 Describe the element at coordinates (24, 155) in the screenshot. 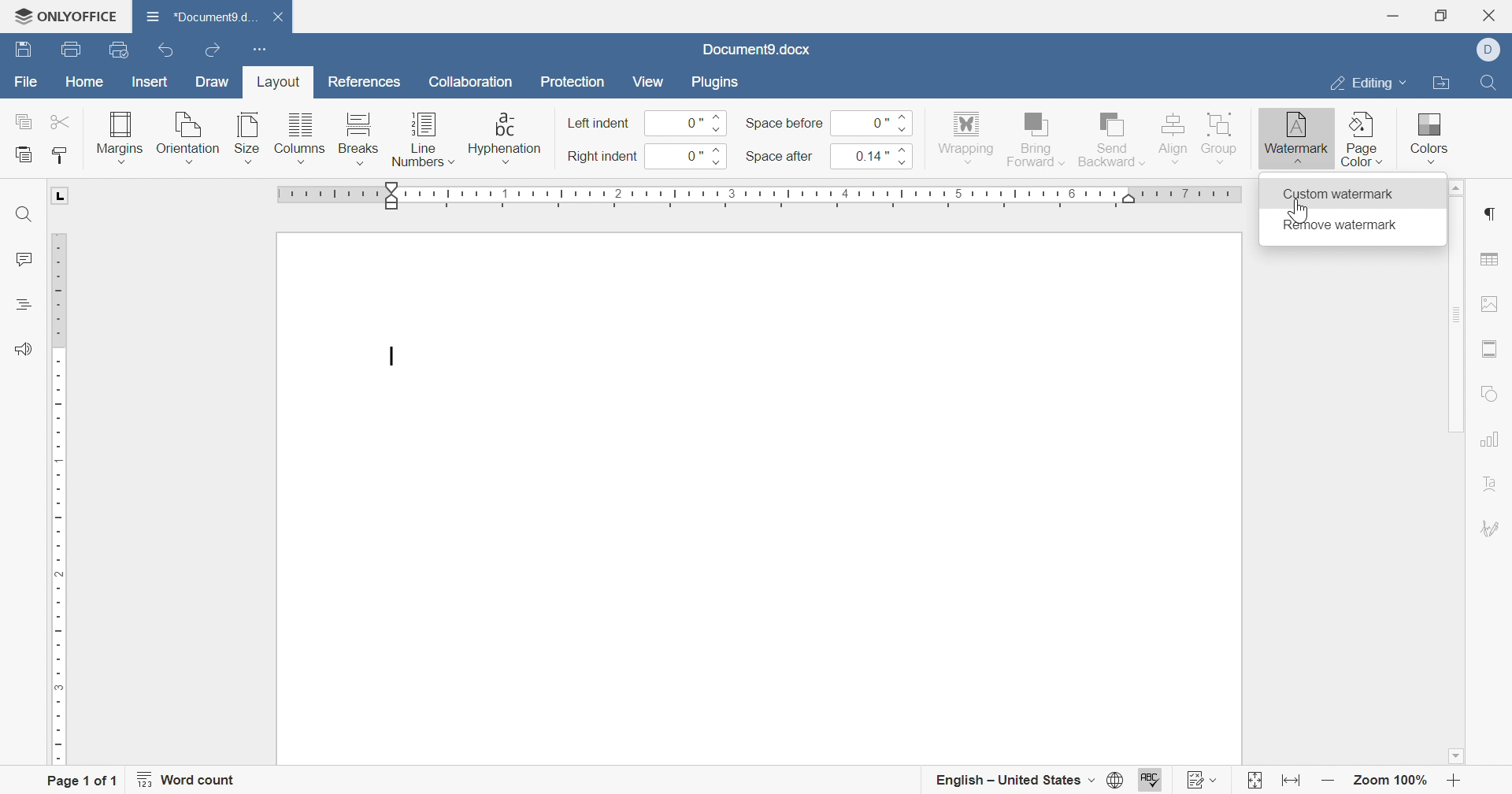

I see `paste` at that location.